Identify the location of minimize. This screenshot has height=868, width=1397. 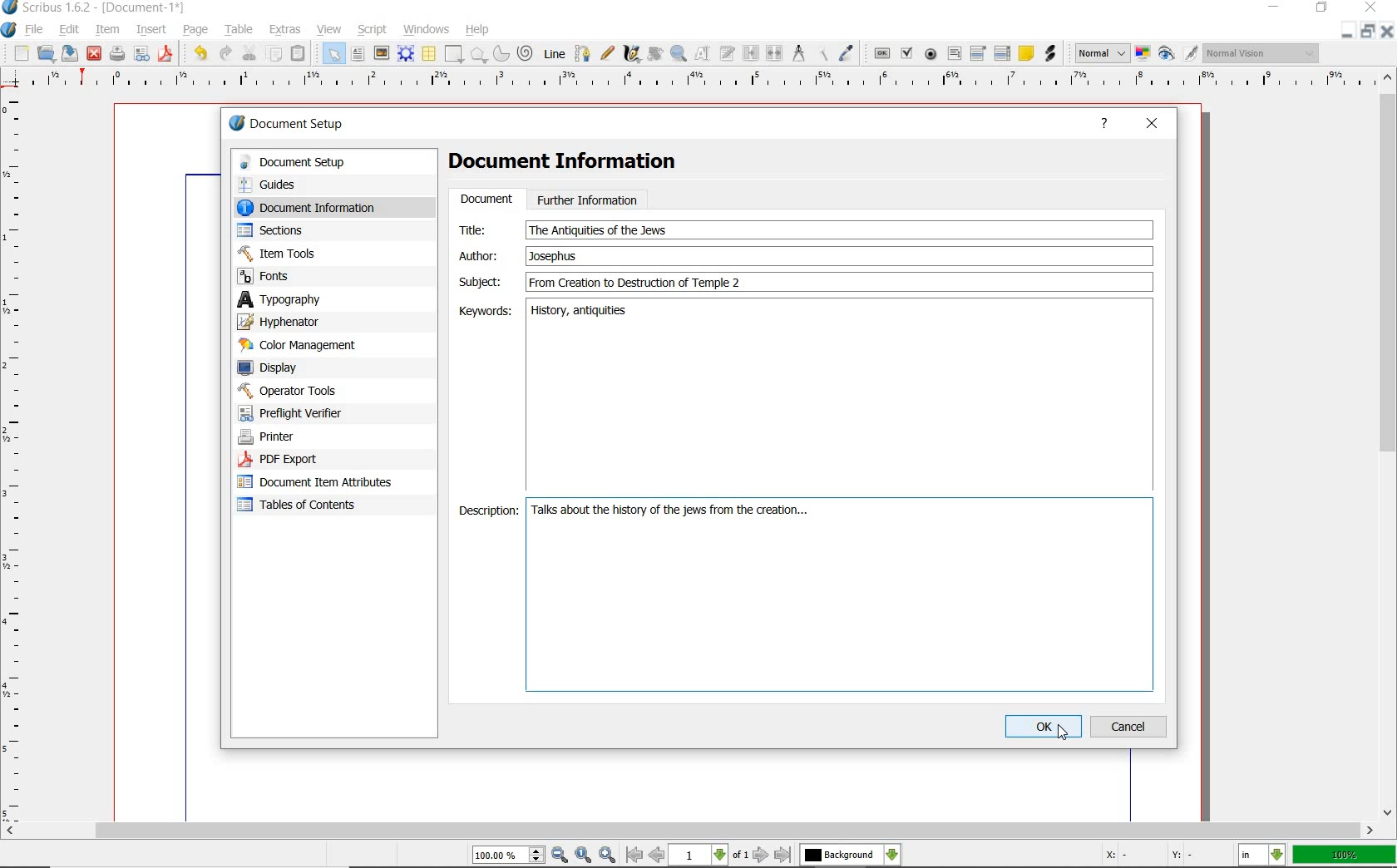
(1272, 7).